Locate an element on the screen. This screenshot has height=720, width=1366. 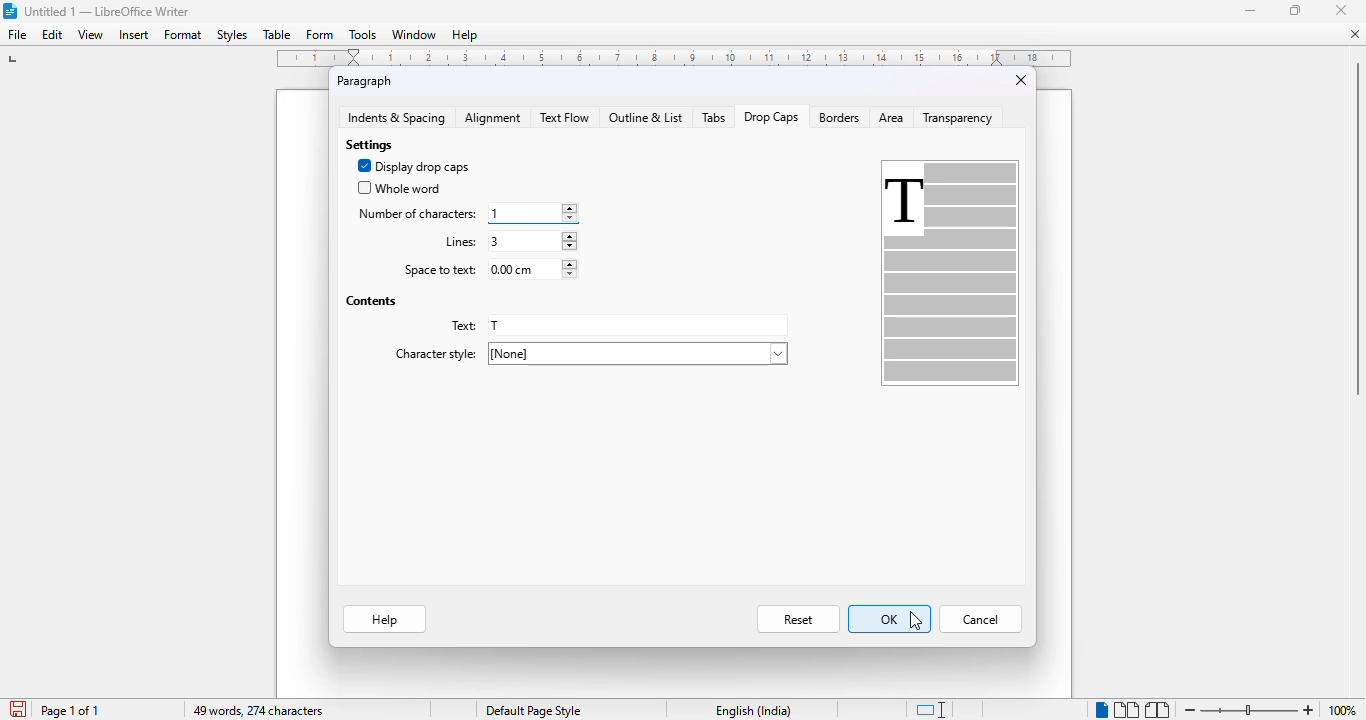
paragraph is located at coordinates (365, 82).